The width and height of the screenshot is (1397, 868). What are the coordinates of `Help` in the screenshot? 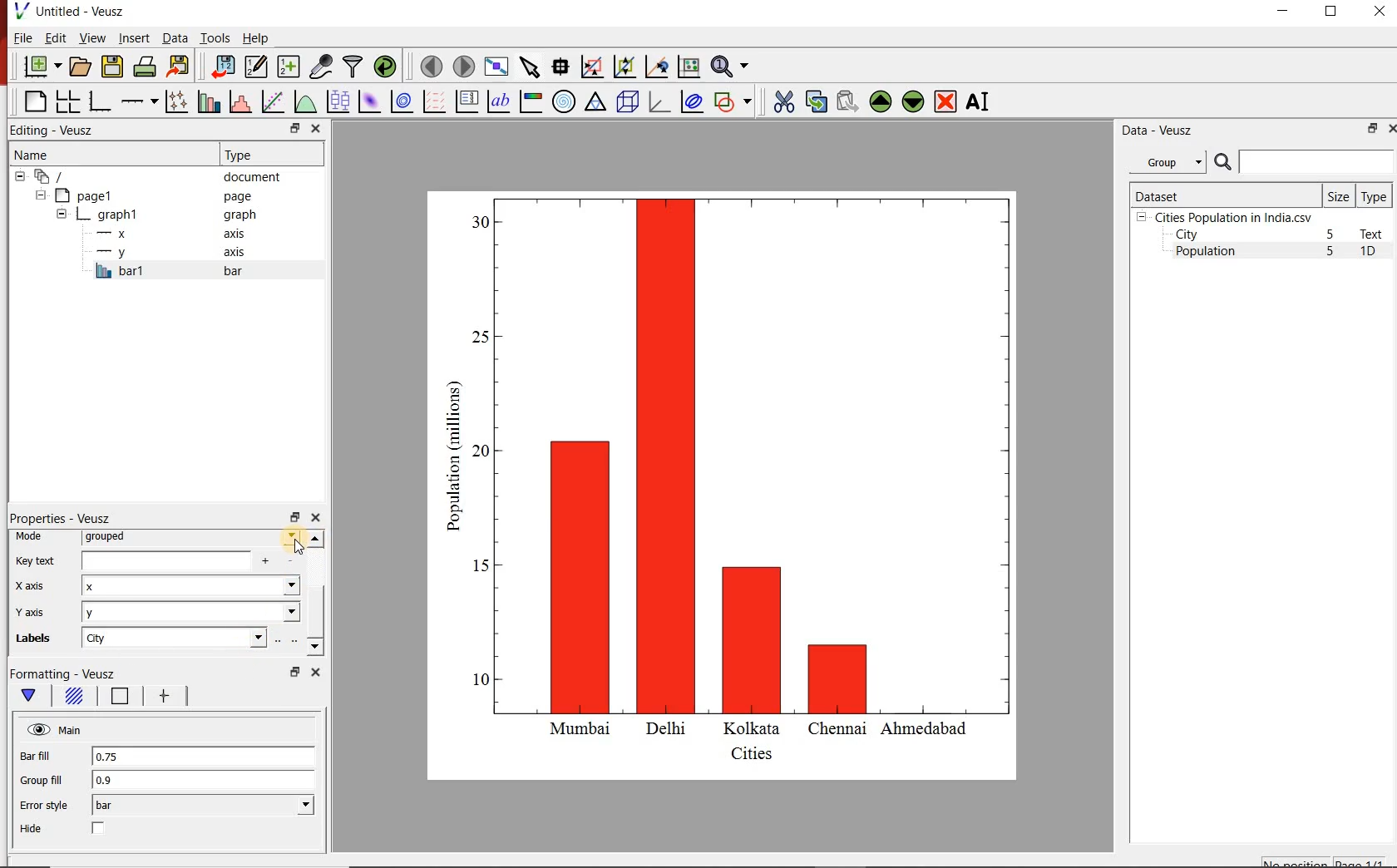 It's located at (257, 37).